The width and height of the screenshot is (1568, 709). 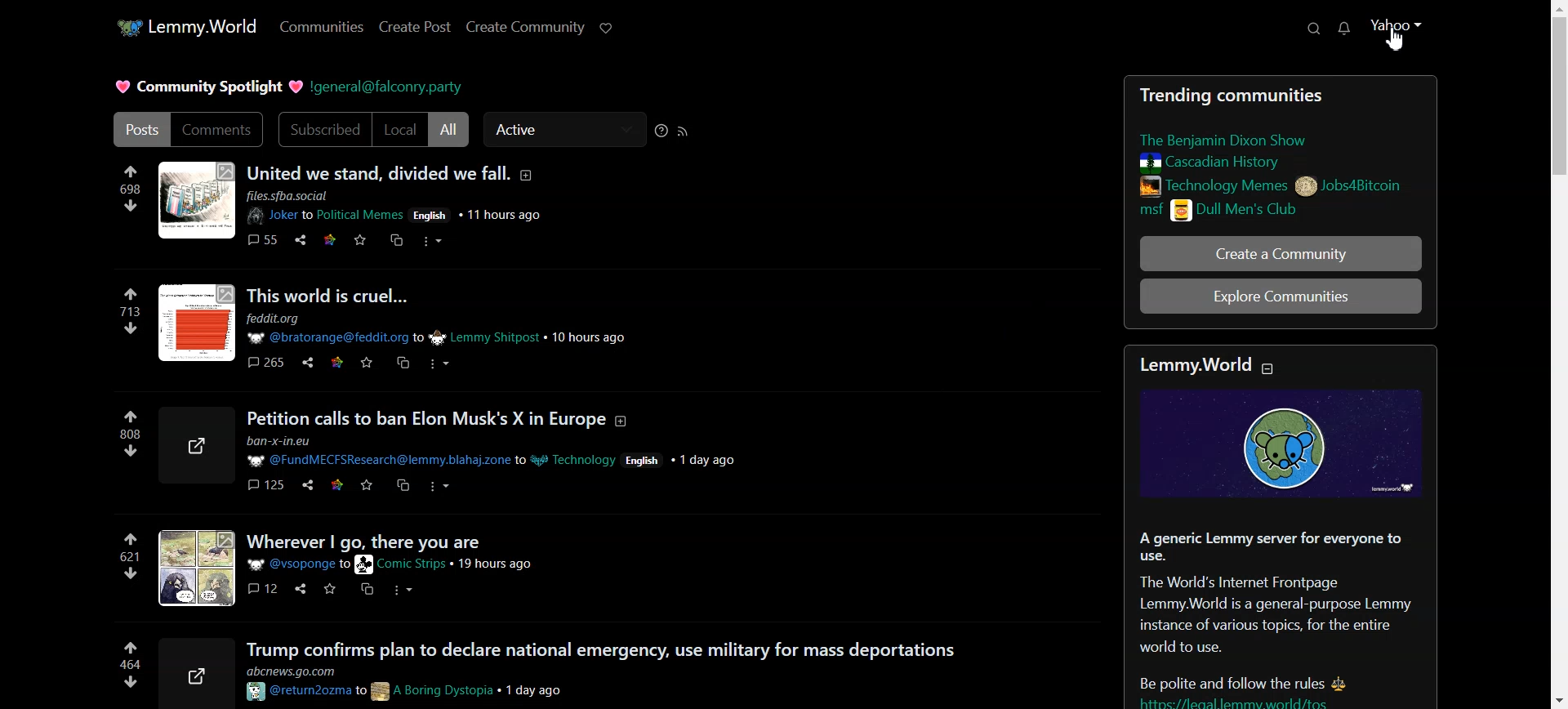 I want to click on , so click(x=442, y=364).